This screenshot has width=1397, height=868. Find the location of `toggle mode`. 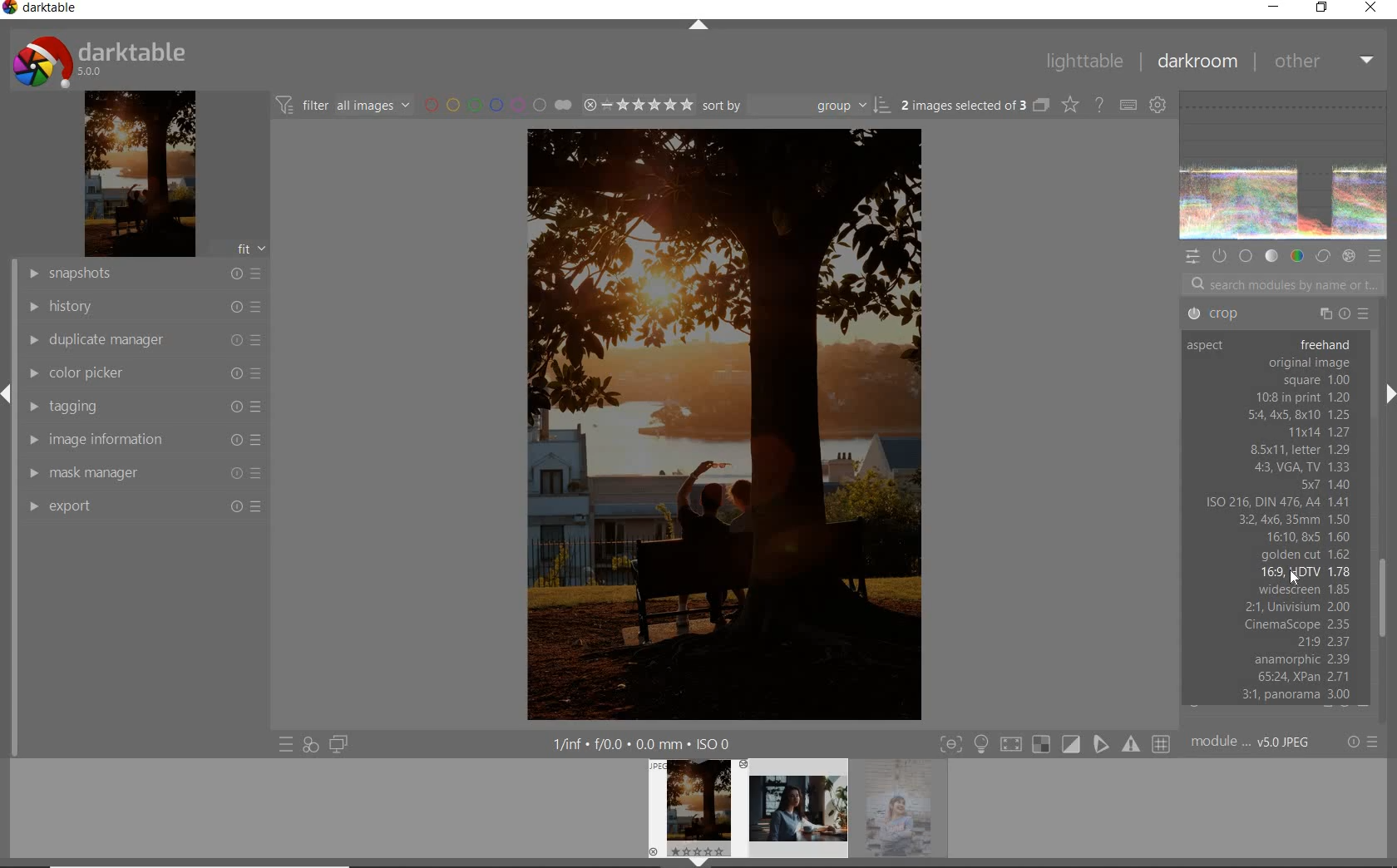

toggle mode is located at coordinates (1055, 743).